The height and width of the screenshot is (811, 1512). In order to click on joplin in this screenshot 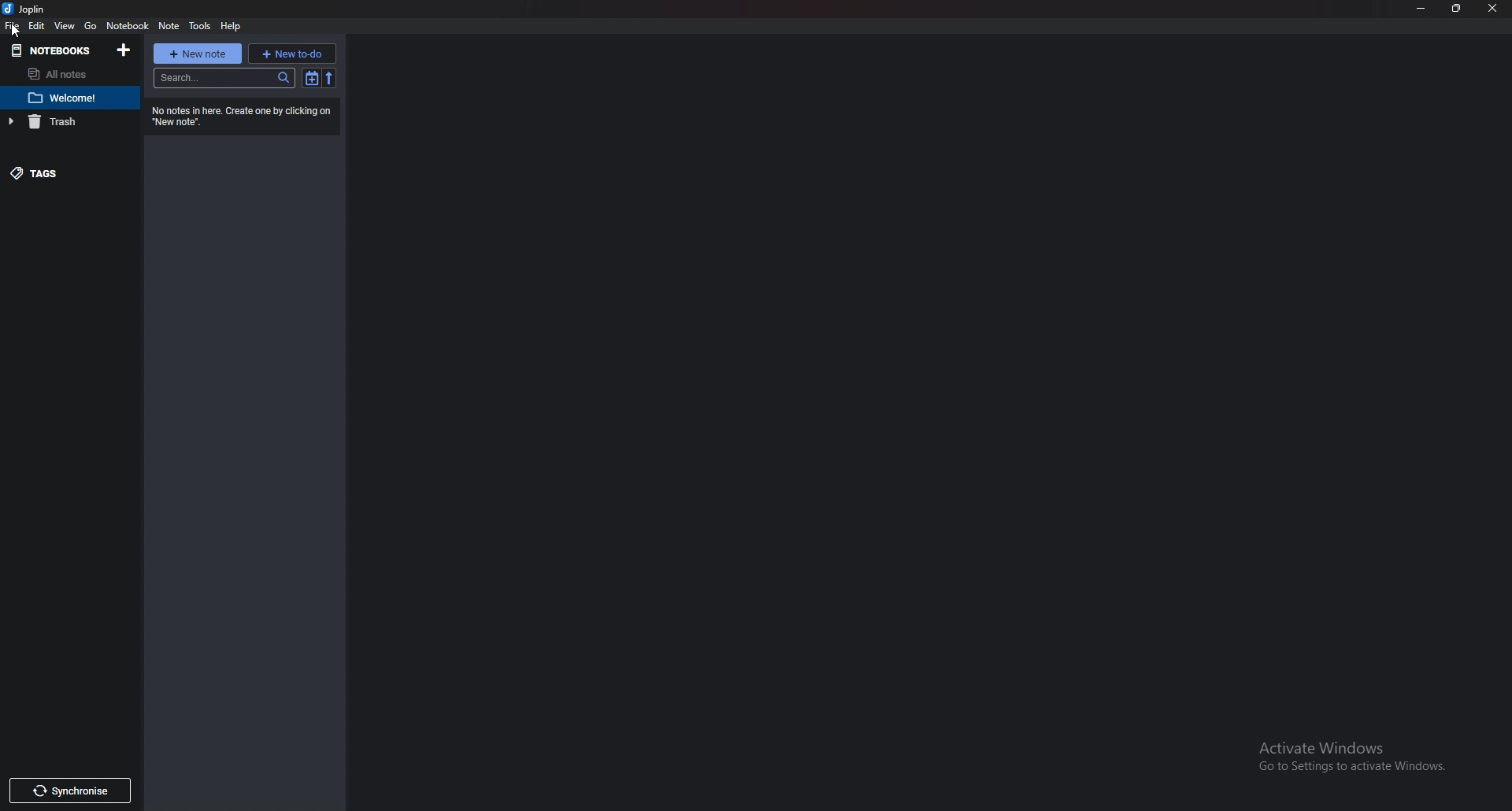, I will do `click(28, 9)`.